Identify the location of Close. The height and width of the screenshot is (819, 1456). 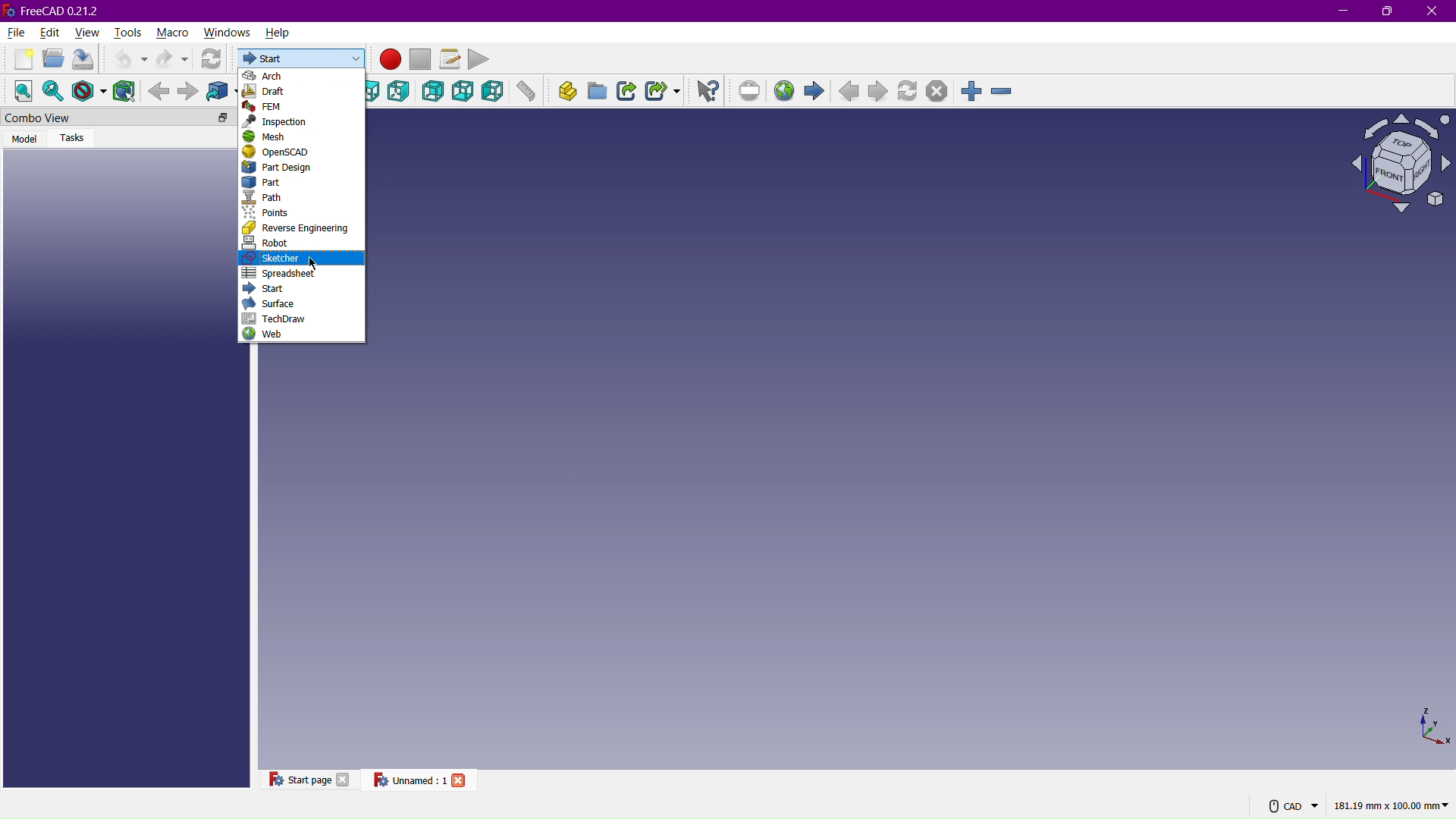
(1435, 11).